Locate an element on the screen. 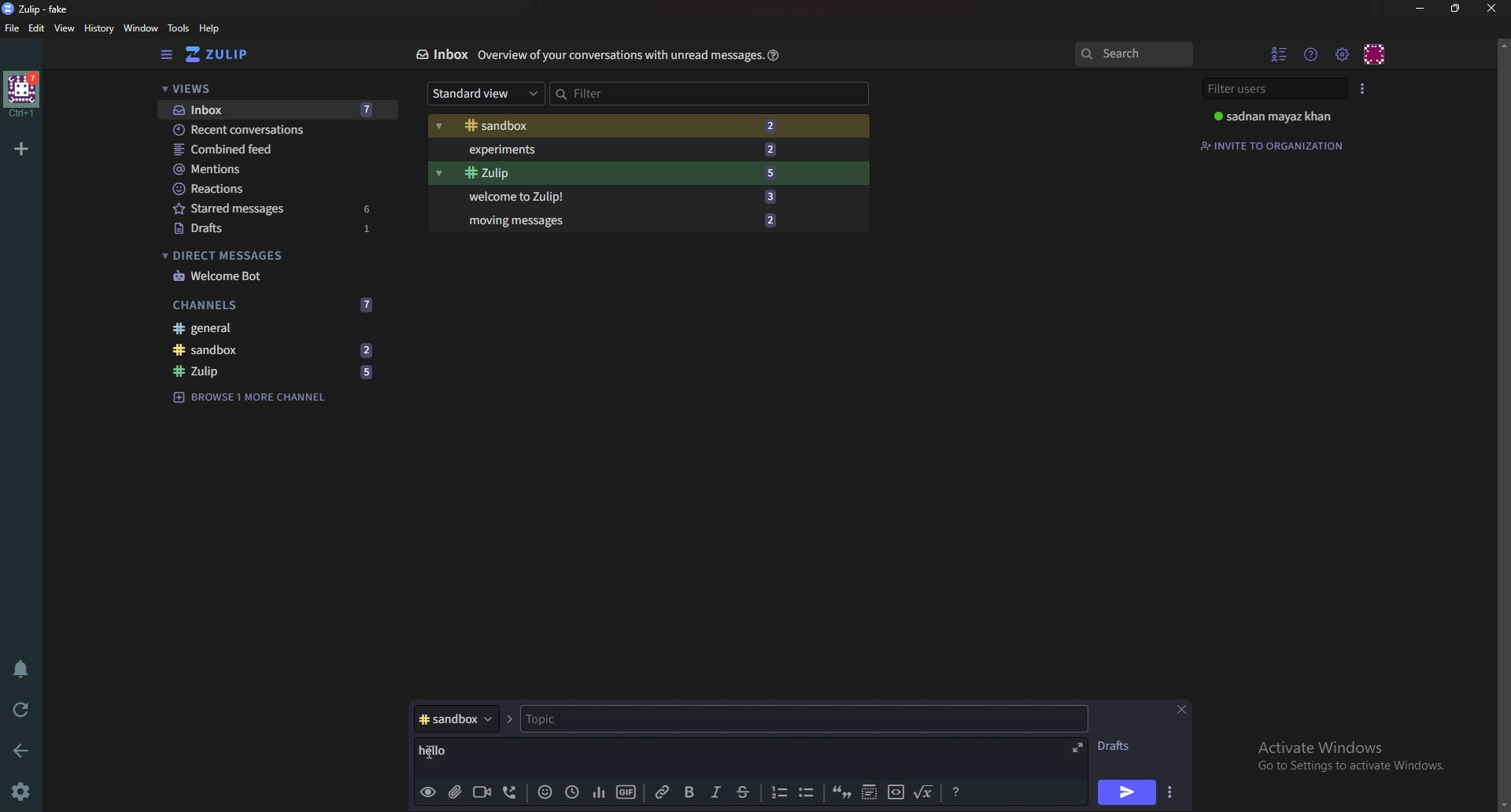 This screenshot has height=812, width=1511. User list style is located at coordinates (1360, 88).